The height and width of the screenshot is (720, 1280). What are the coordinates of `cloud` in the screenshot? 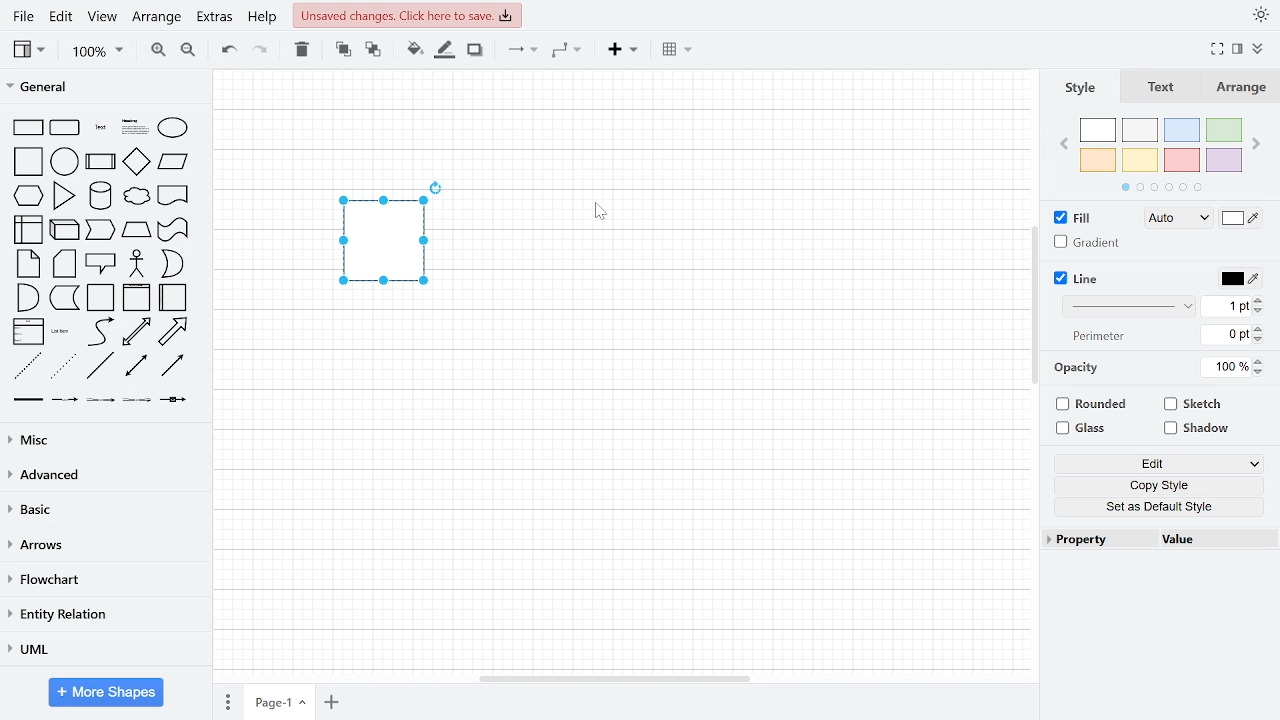 It's located at (136, 197).